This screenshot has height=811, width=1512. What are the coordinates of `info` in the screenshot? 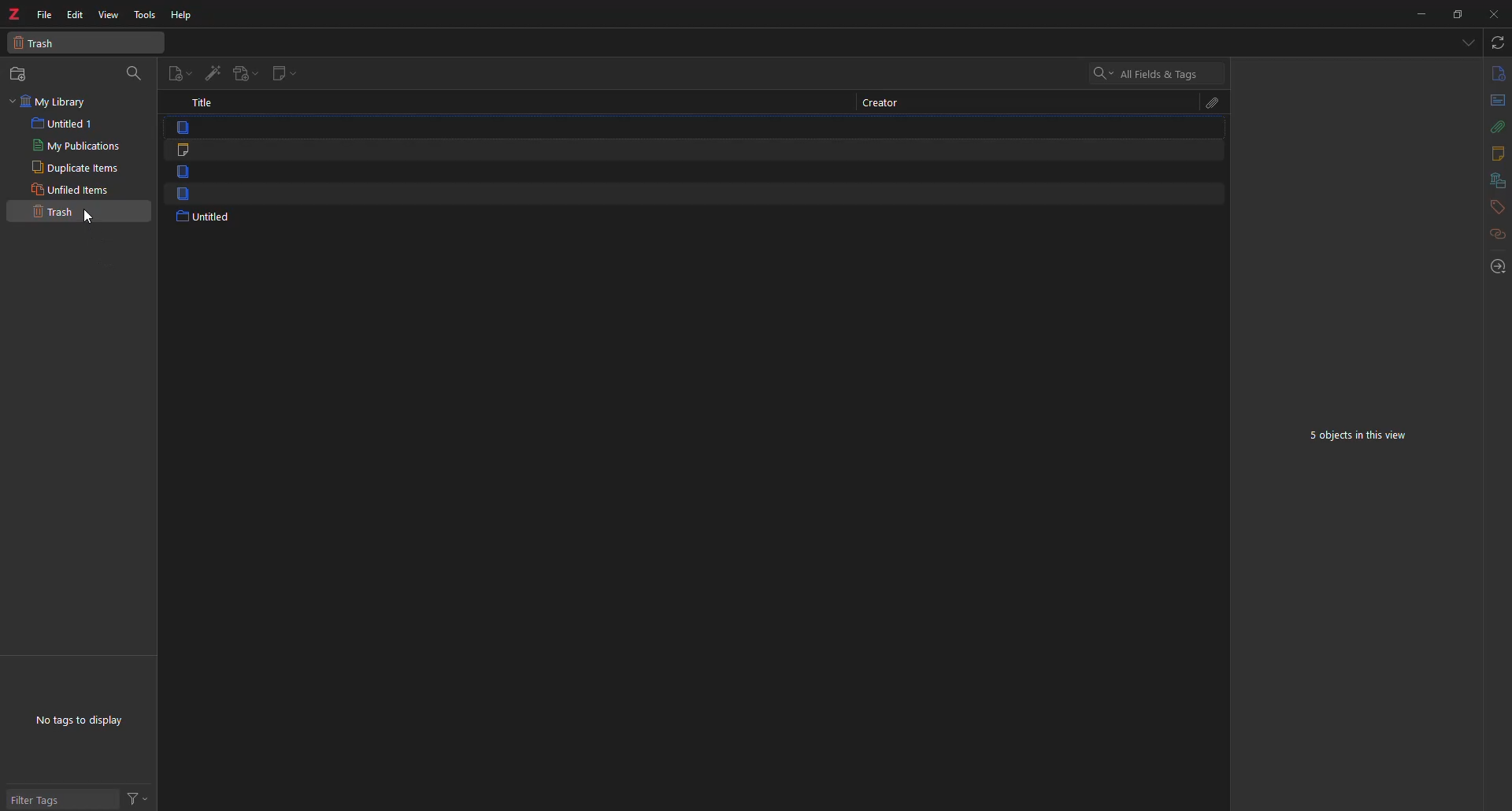 It's located at (1498, 74).